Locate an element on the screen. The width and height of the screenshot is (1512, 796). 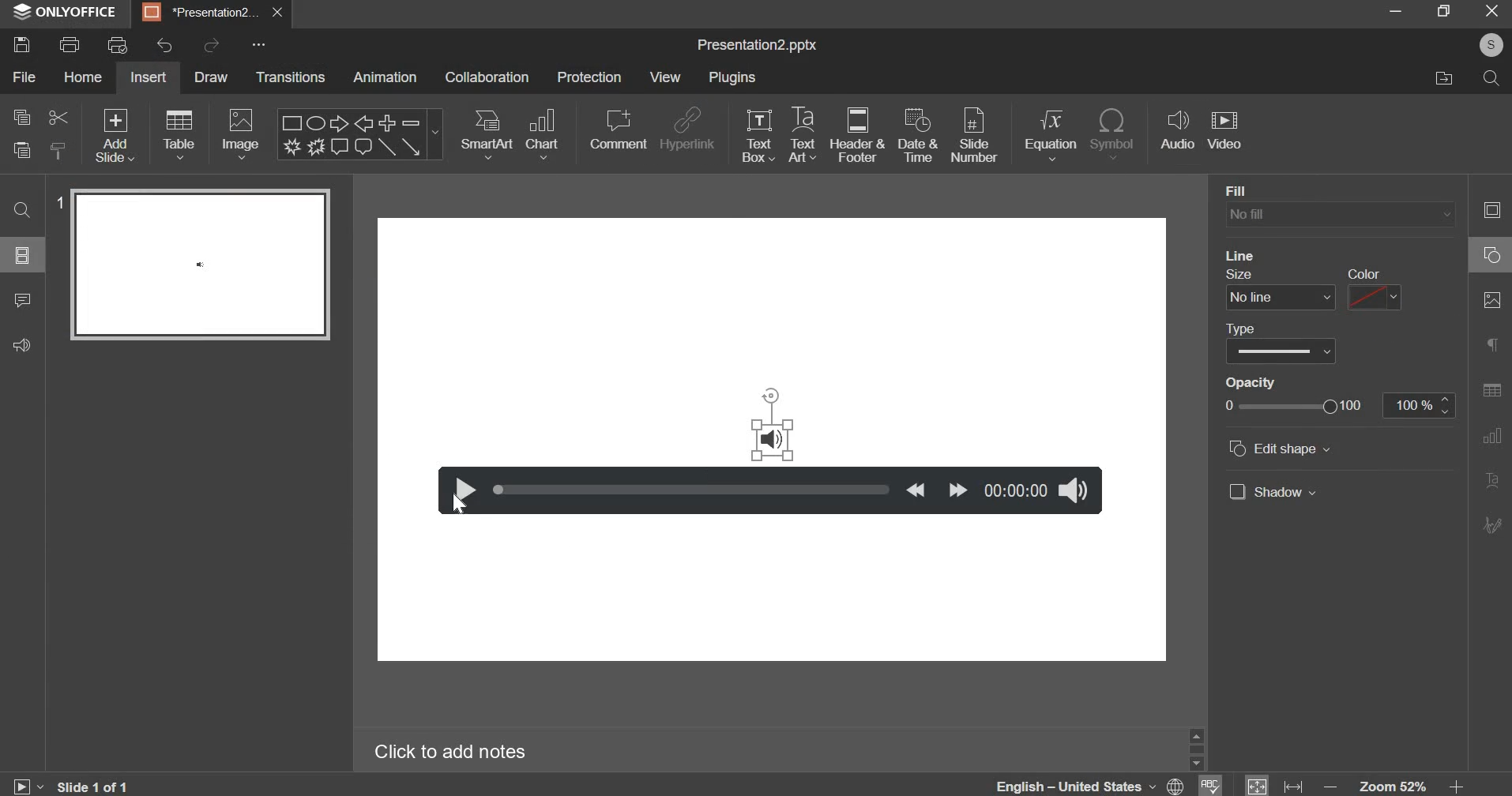
fill is located at coordinates (1264, 191).